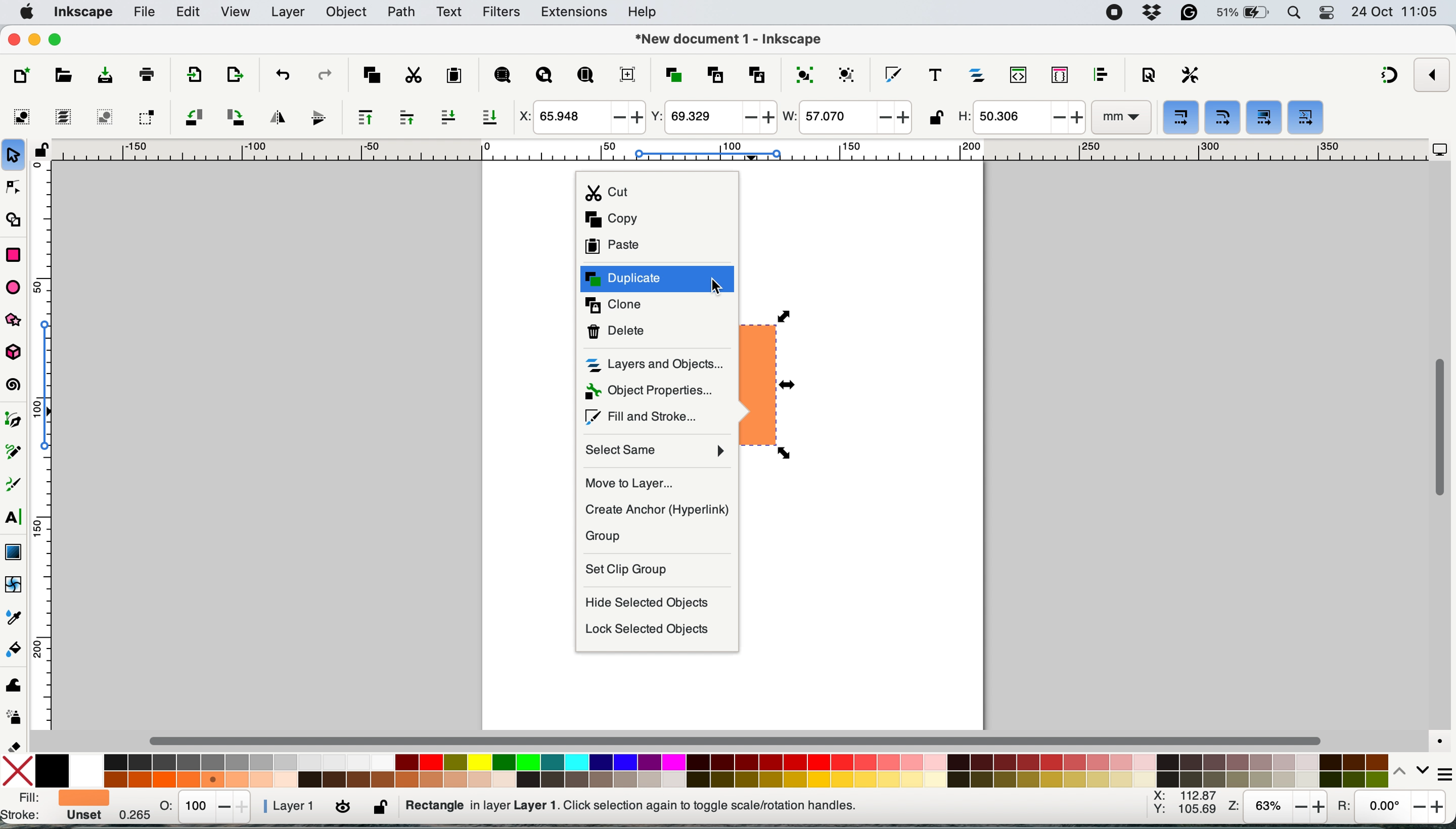  What do you see at coordinates (1438, 771) in the screenshot?
I see `more settings` at bounding box center [1438, 771].